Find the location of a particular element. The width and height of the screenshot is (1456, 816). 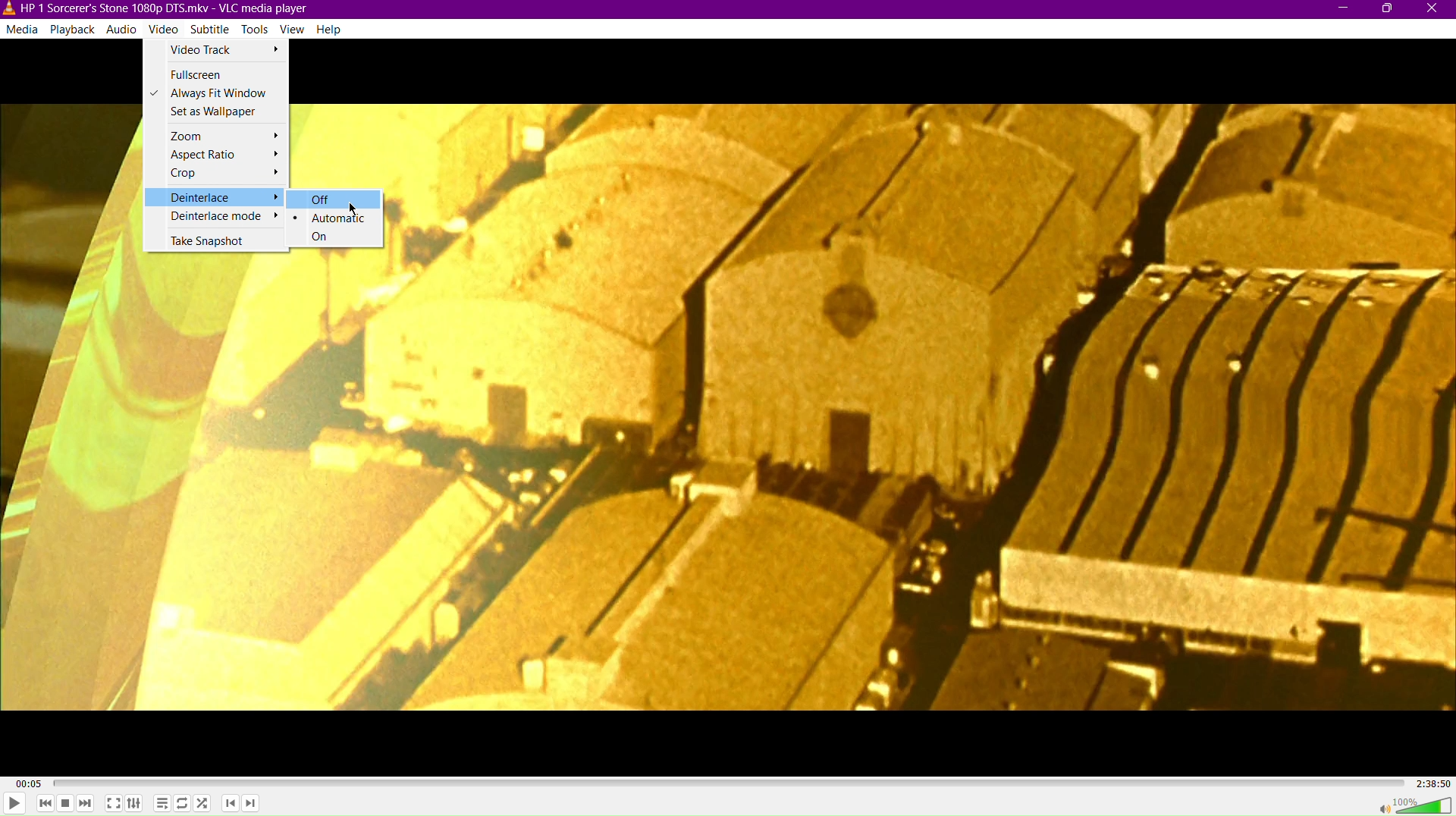

Zoom is located at coordinates (217, 134).